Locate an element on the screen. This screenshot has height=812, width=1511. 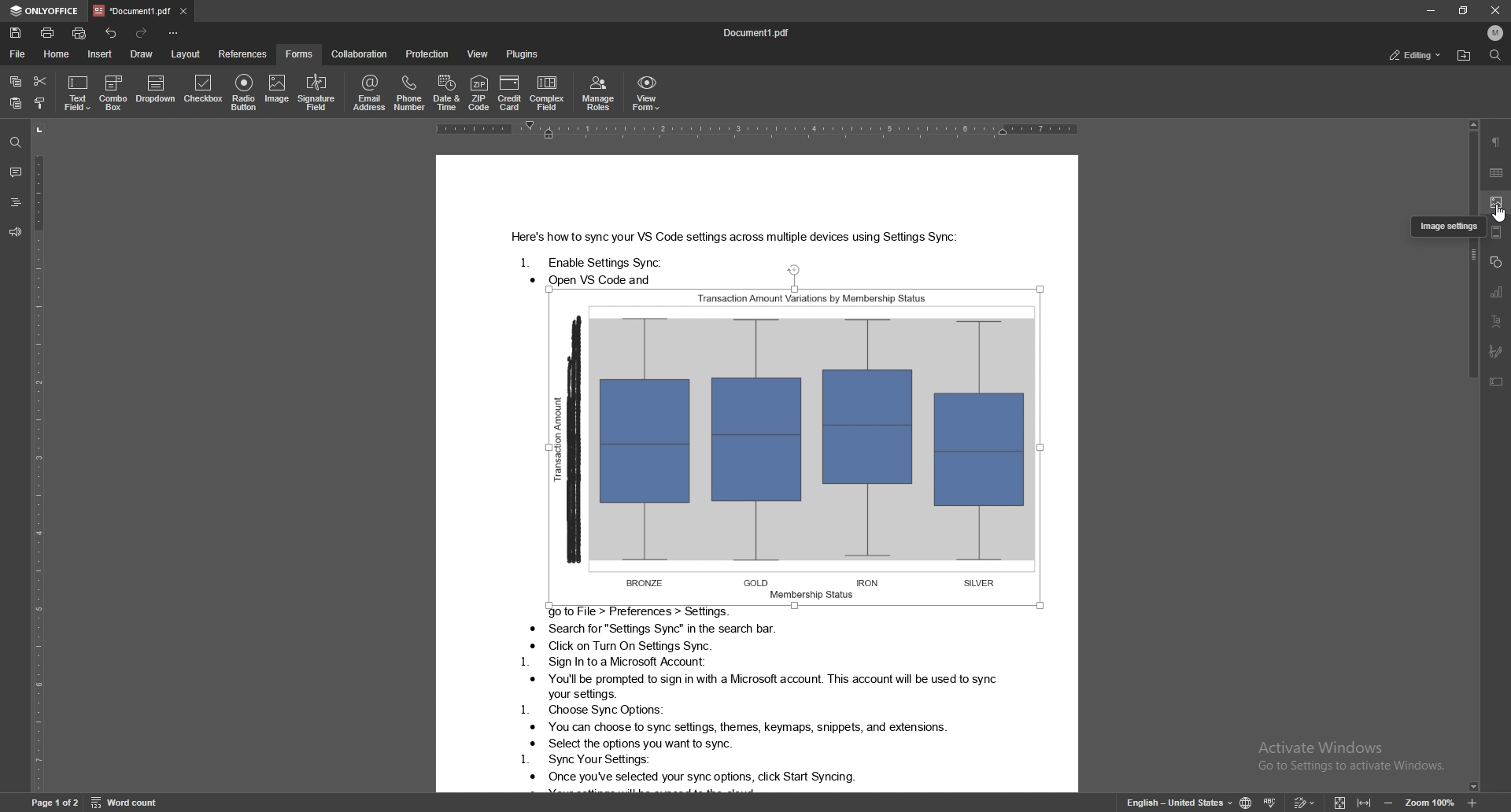
view is located at coordinates (479, 54).